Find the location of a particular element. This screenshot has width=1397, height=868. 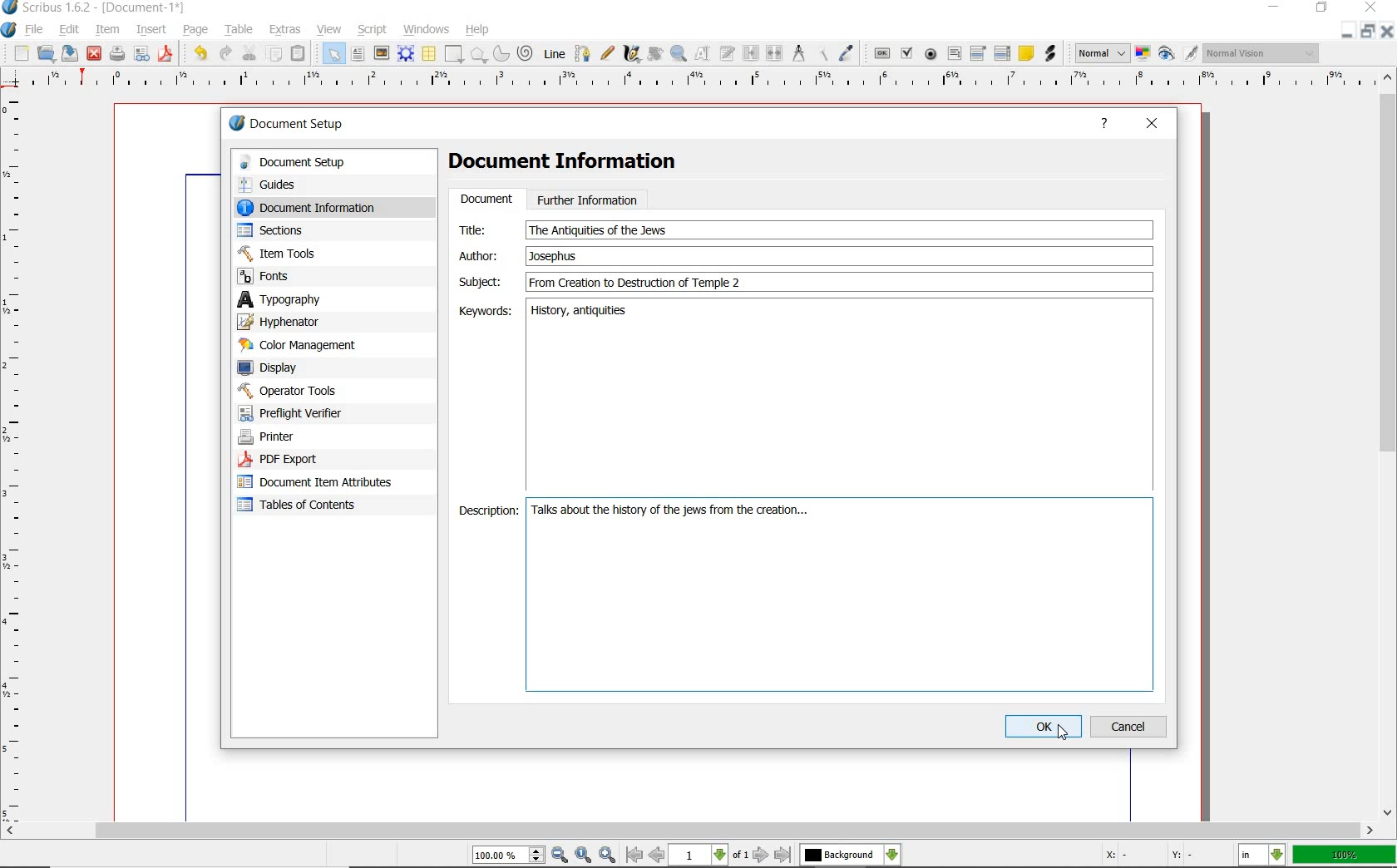

print is located at coordinates (117, 55).